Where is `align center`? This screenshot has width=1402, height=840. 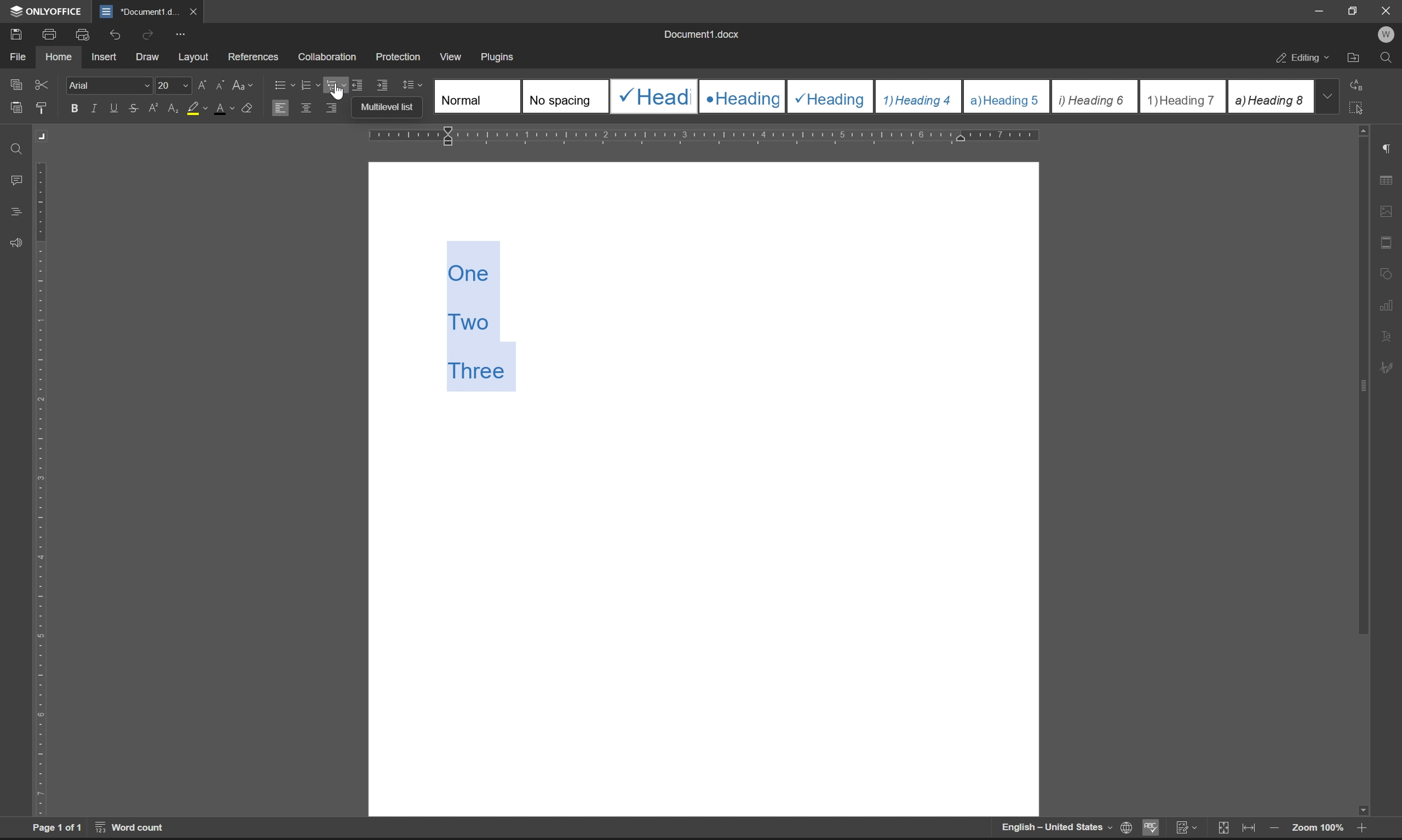 align center is located at coordinates (307, 107).